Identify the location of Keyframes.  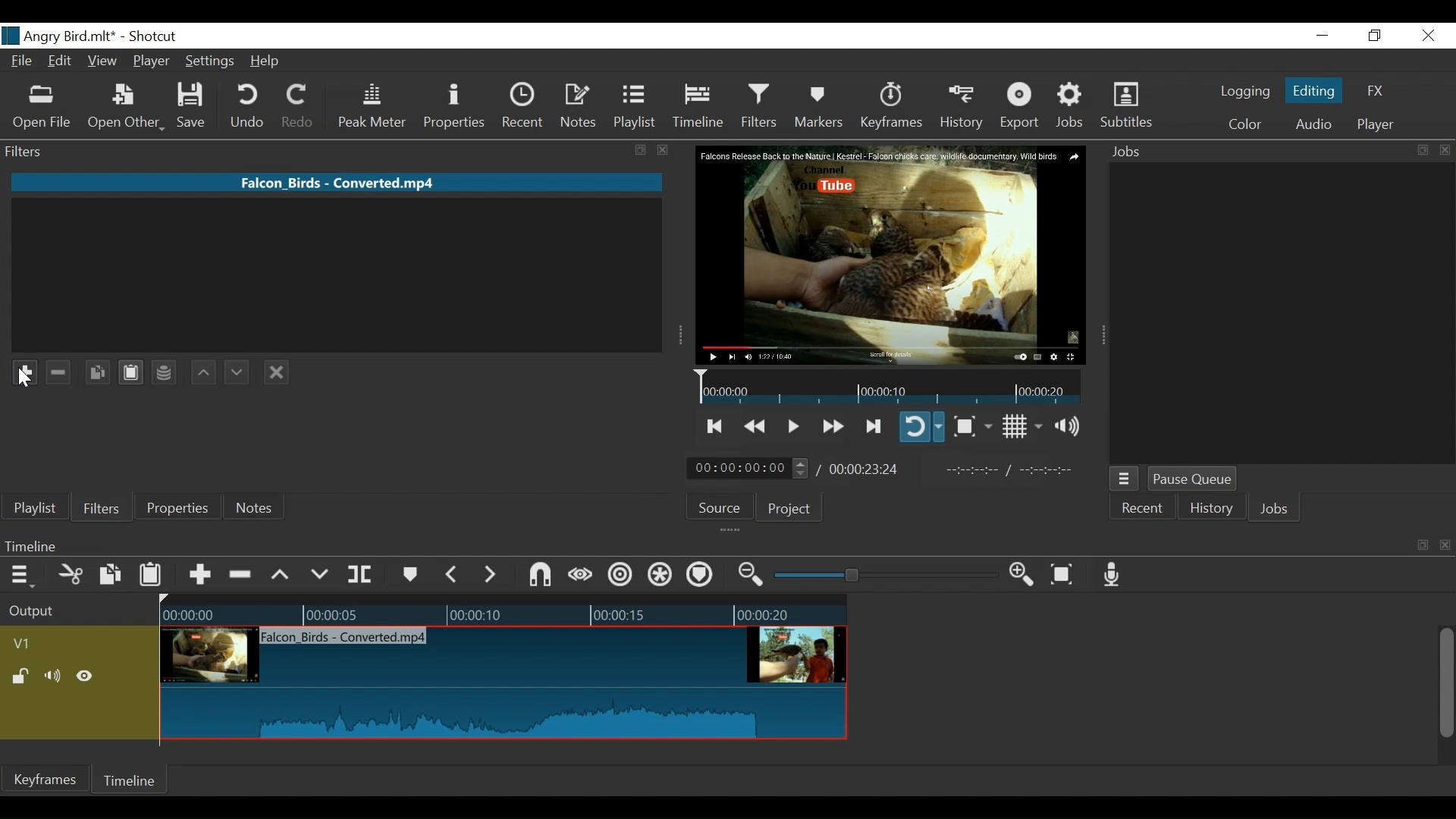
(890, 106).